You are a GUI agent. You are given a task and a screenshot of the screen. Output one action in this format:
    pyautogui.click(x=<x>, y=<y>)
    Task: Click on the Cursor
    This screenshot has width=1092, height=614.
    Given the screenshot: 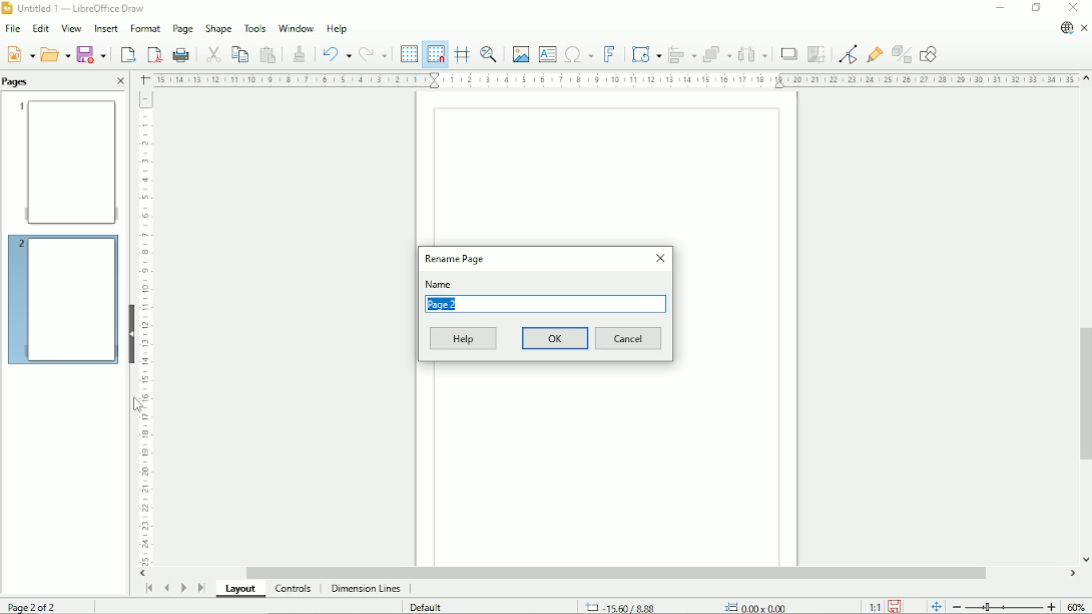 What is the action you would take?
    pyautogui.click(x=139, y=406)
    